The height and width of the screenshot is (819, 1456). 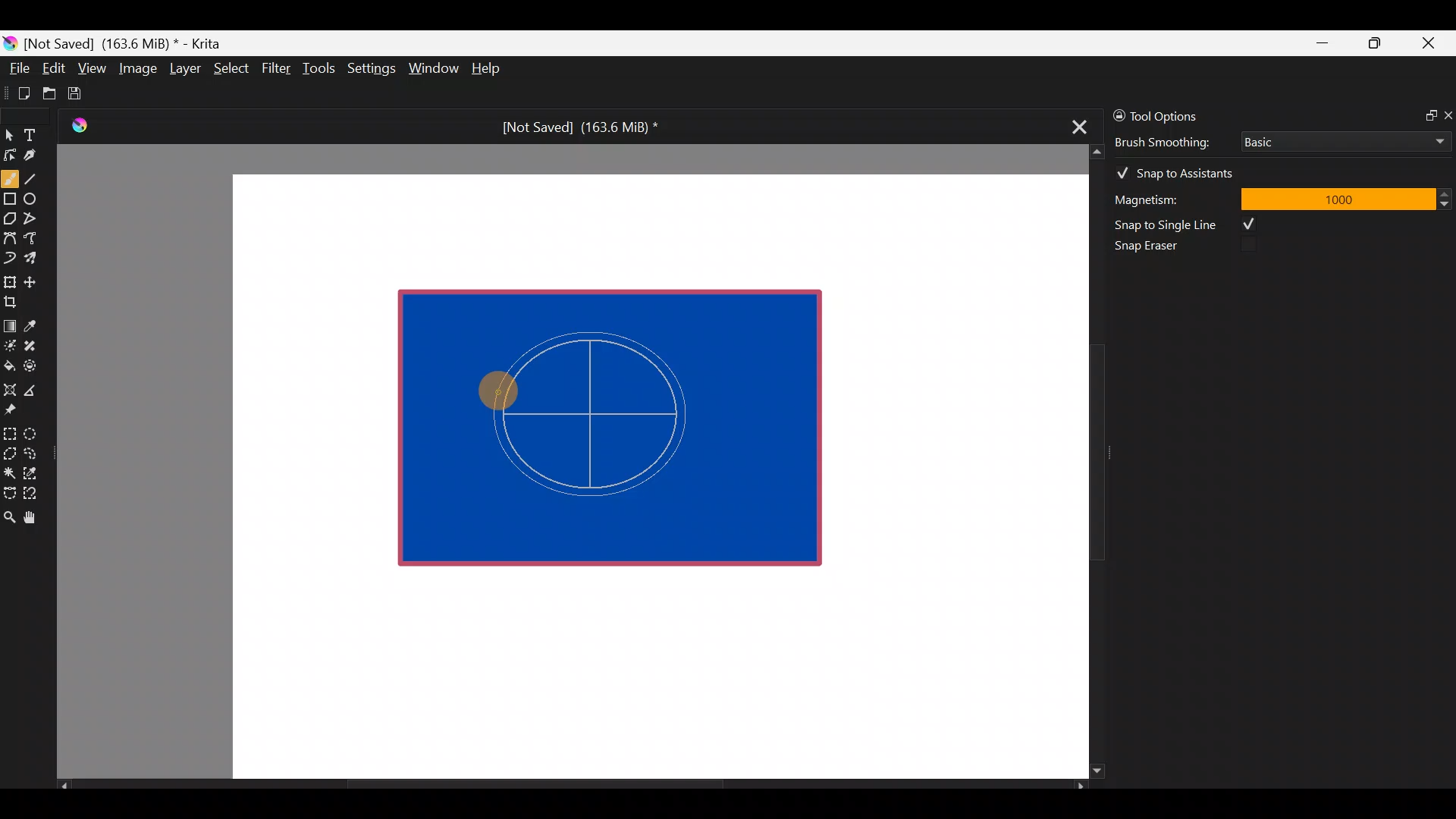 I want to click on Snap to single line, so click(x=1191, y=224).